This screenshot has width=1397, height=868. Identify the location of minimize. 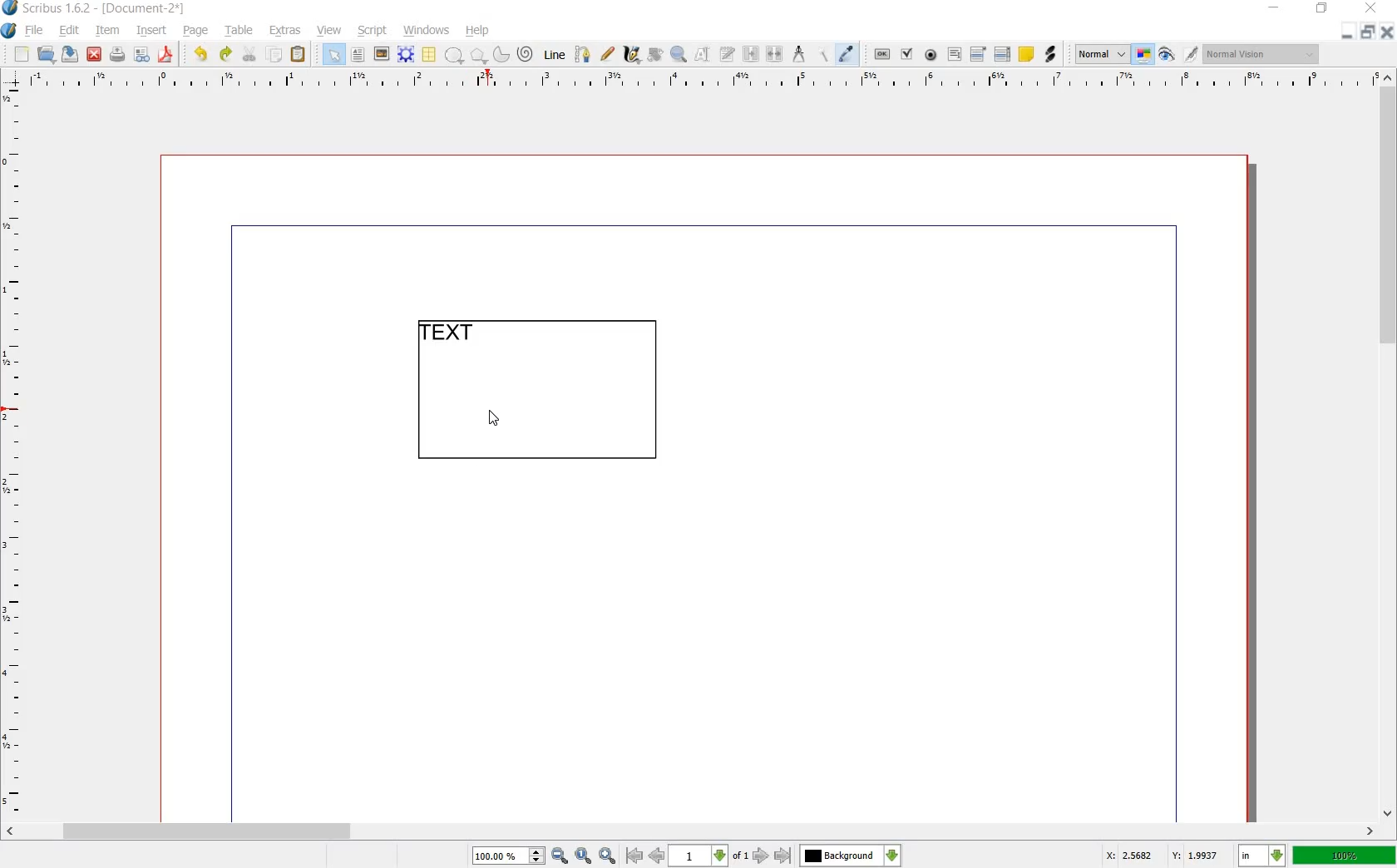
(1275, 8).